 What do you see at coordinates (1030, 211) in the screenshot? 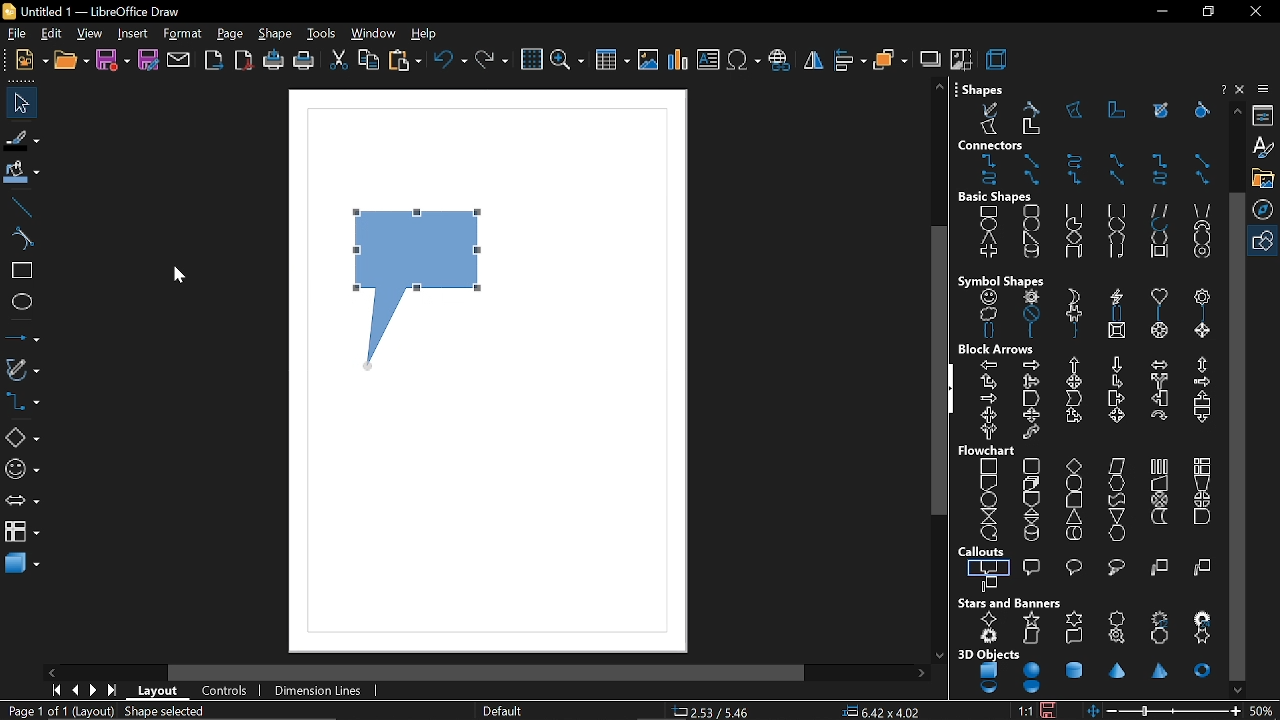
I see `rounded rectangle` at bounding box center [1030, 211].